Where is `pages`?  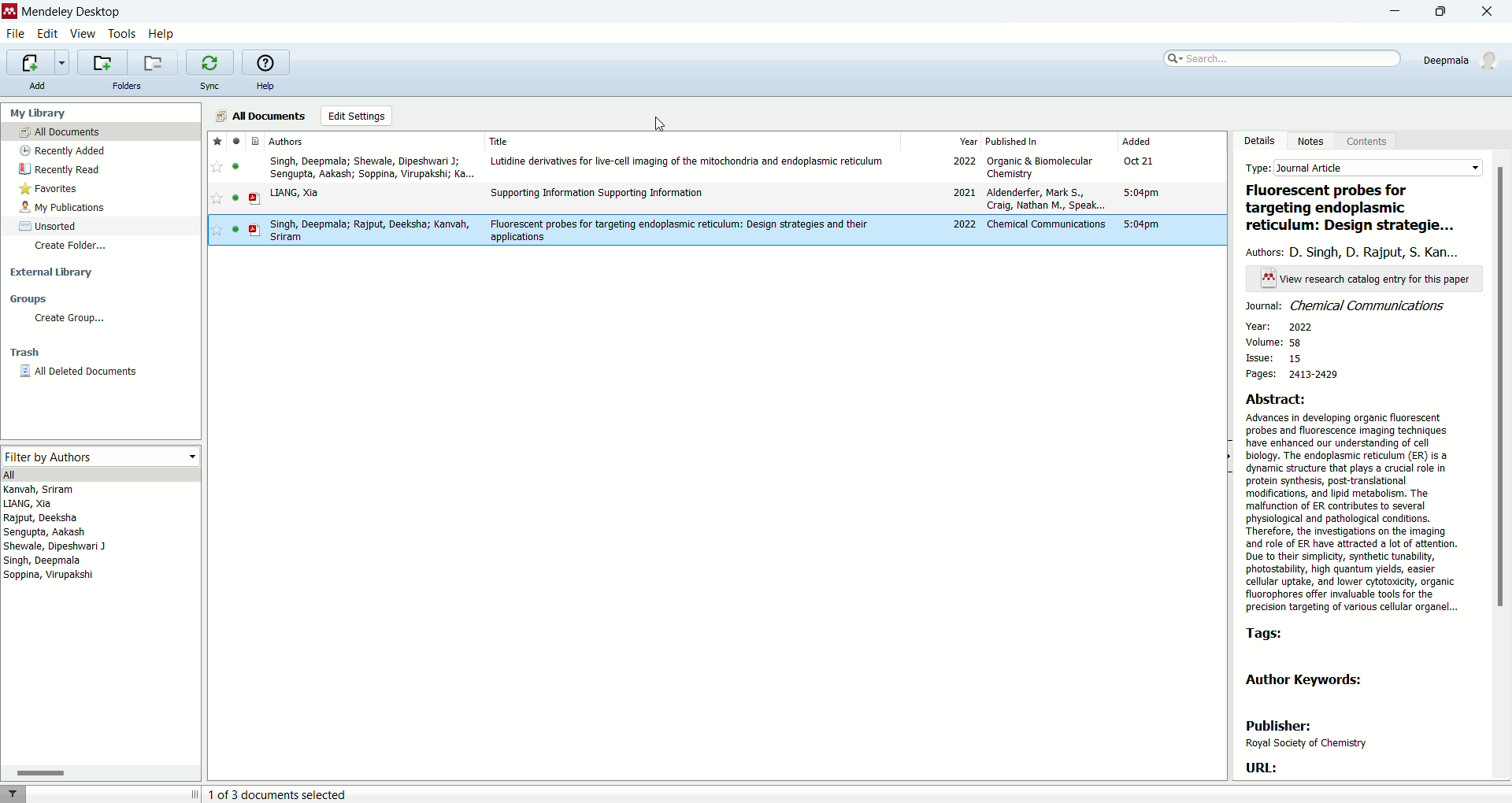
pages is located at coordinates (1291, 377).